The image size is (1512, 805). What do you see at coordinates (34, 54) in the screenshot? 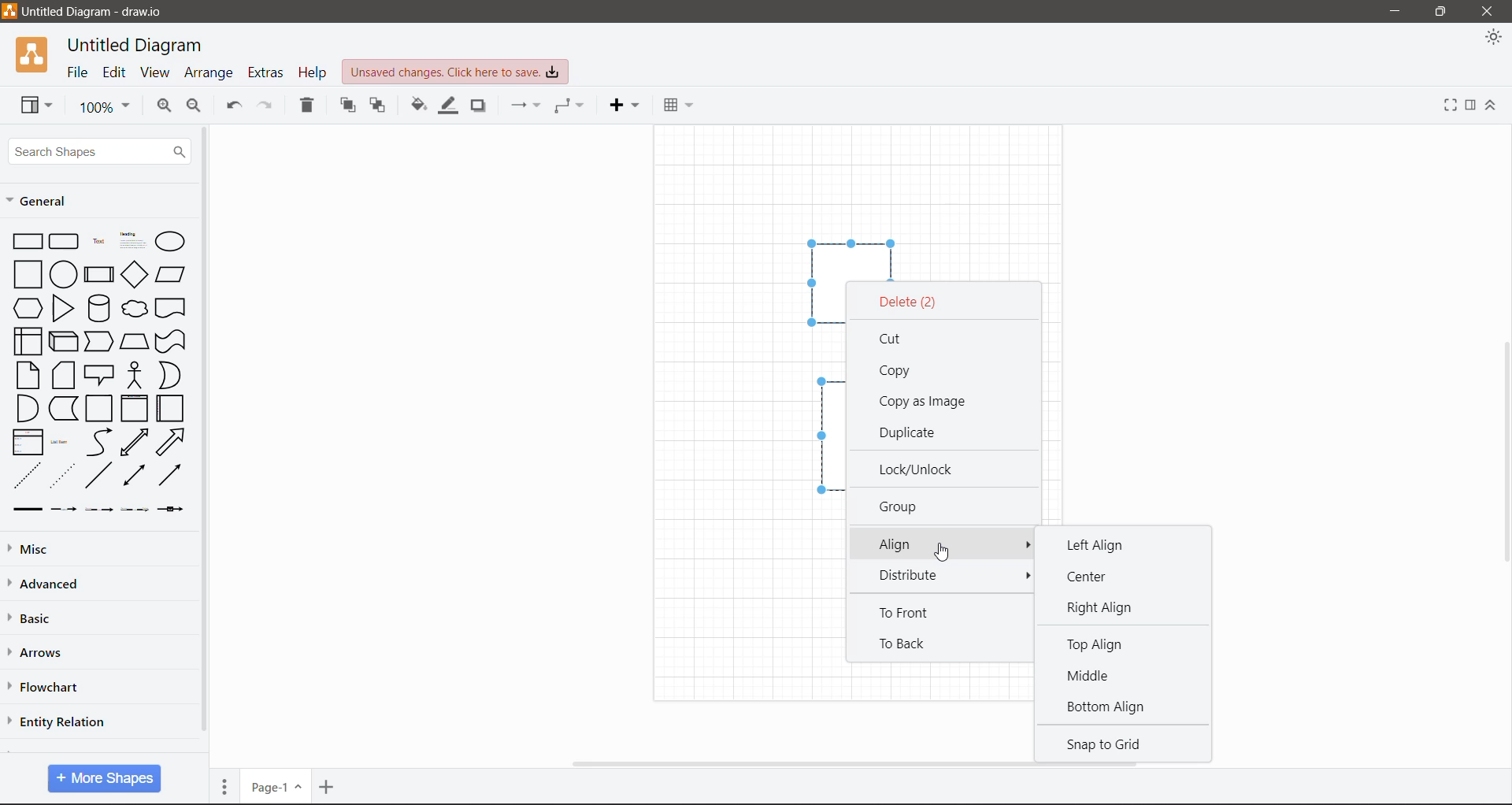
I see `Application Logo` at bounding box center [34, 54].